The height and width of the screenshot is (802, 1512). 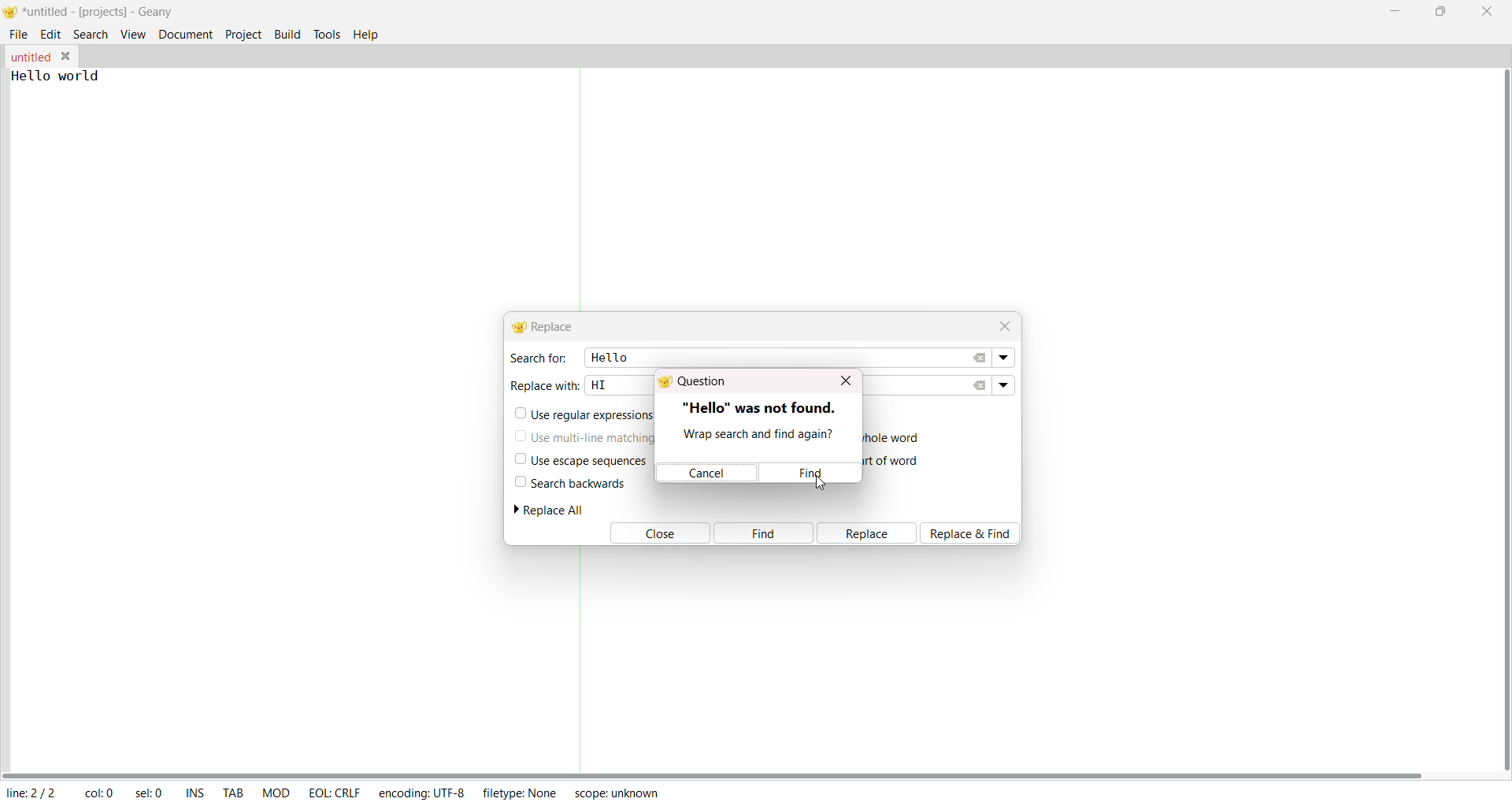 I want to click on tools, so click(x=328, y=33).